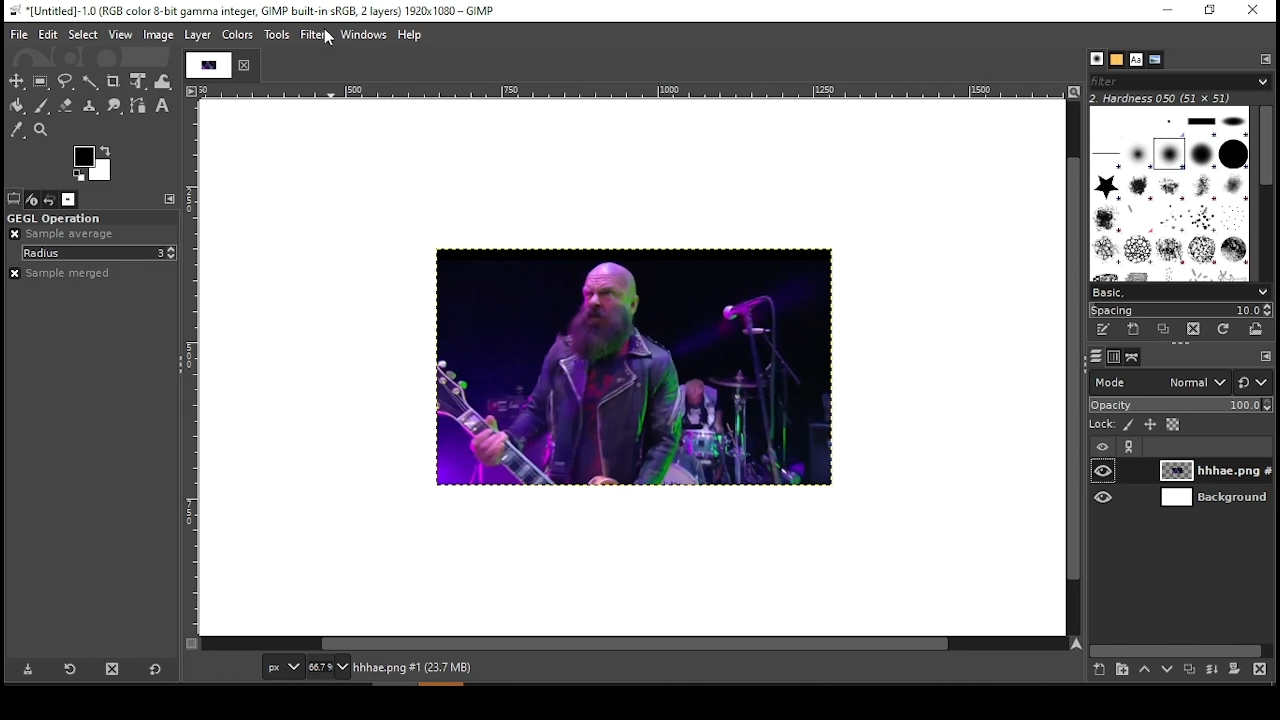 The width and height of the screenshot is (1280, 720). Describe the element at coordinates (206, 65) in the screenshot. I see `tab` at that location.